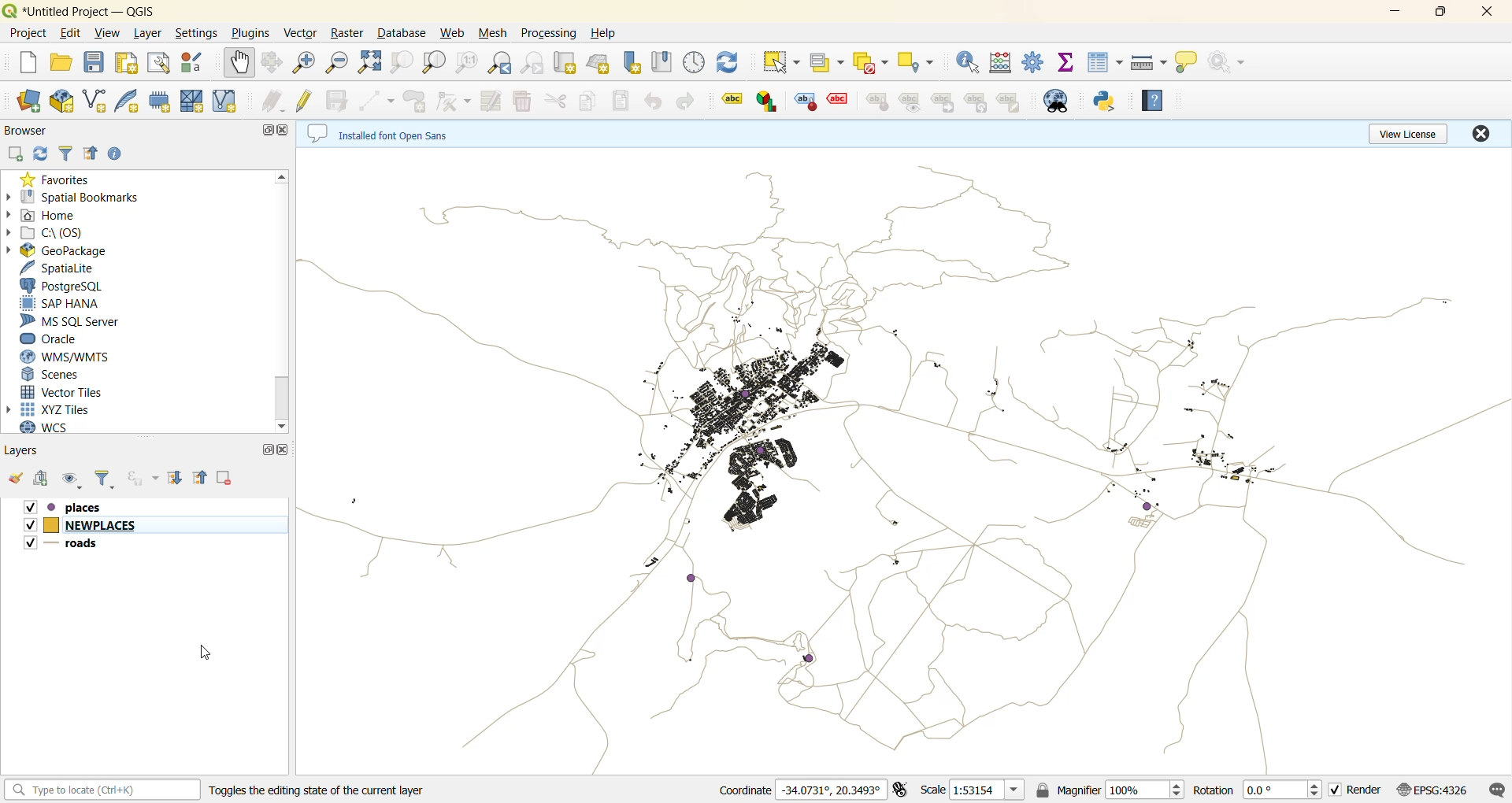 This screenshot has height=803, width=1512. I want to click on zoom last, so click(503, 63).